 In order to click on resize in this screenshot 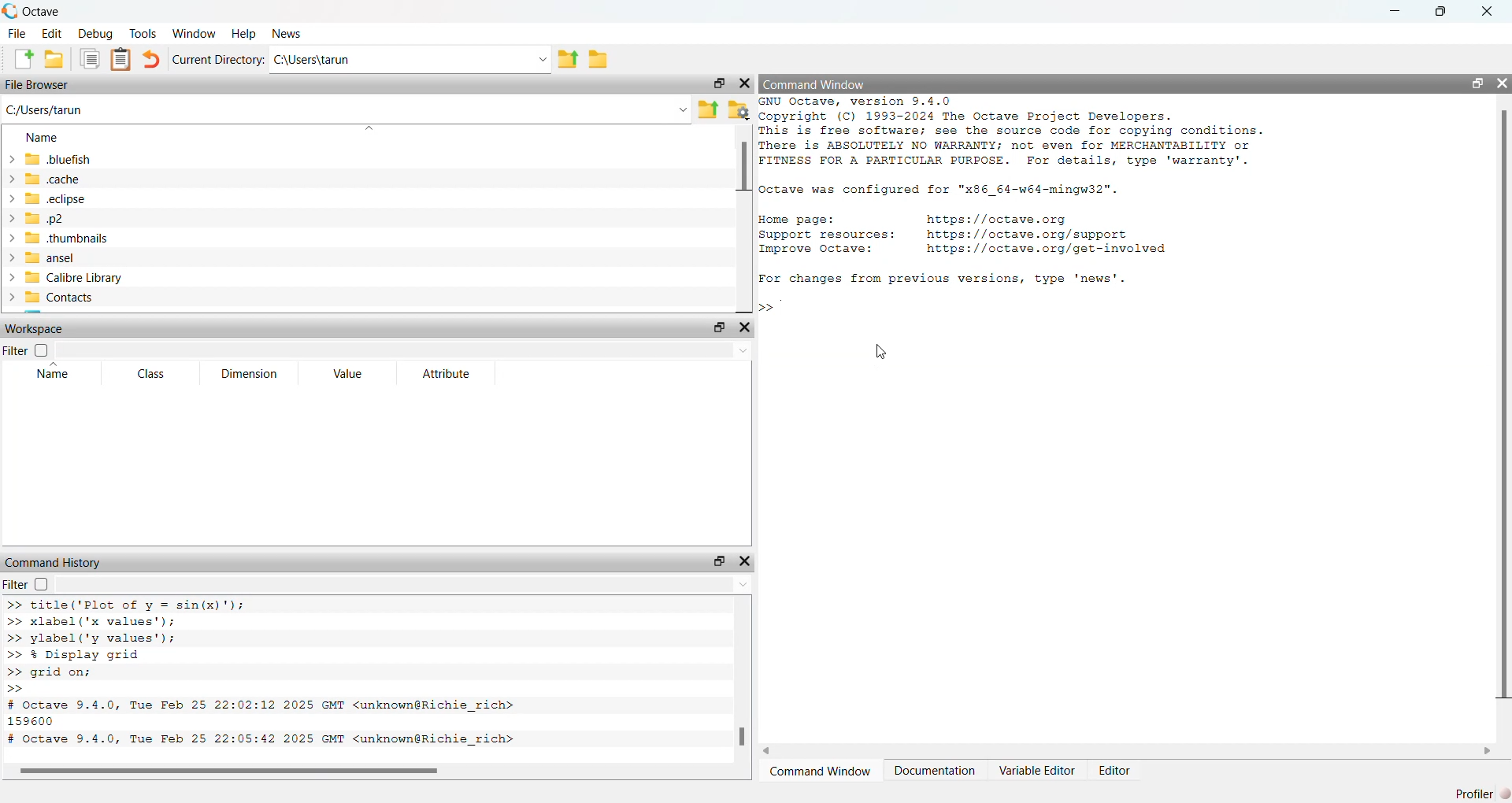, I will do `click(1477, 83)`.